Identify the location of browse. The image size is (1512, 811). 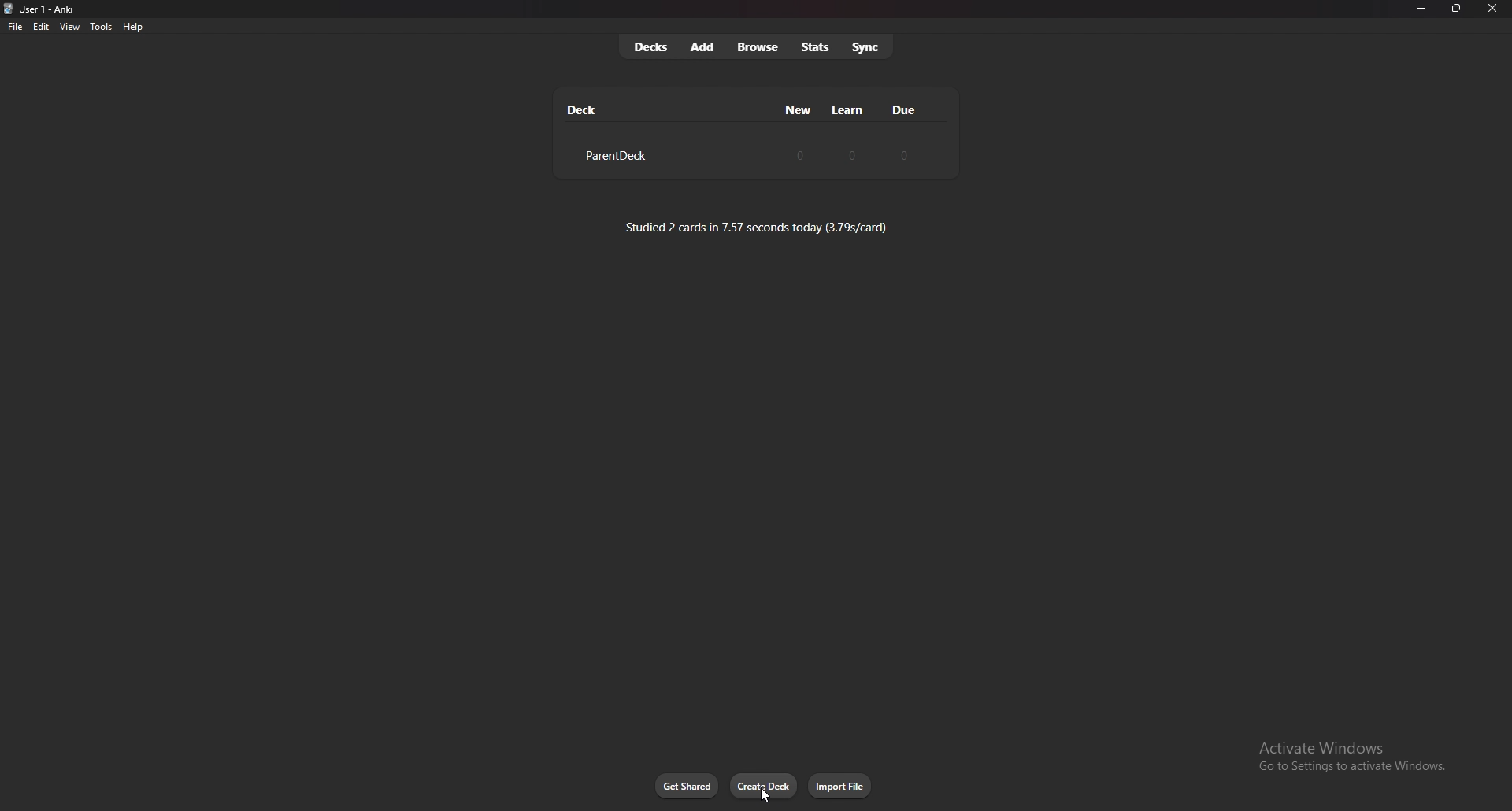
(760, 48).